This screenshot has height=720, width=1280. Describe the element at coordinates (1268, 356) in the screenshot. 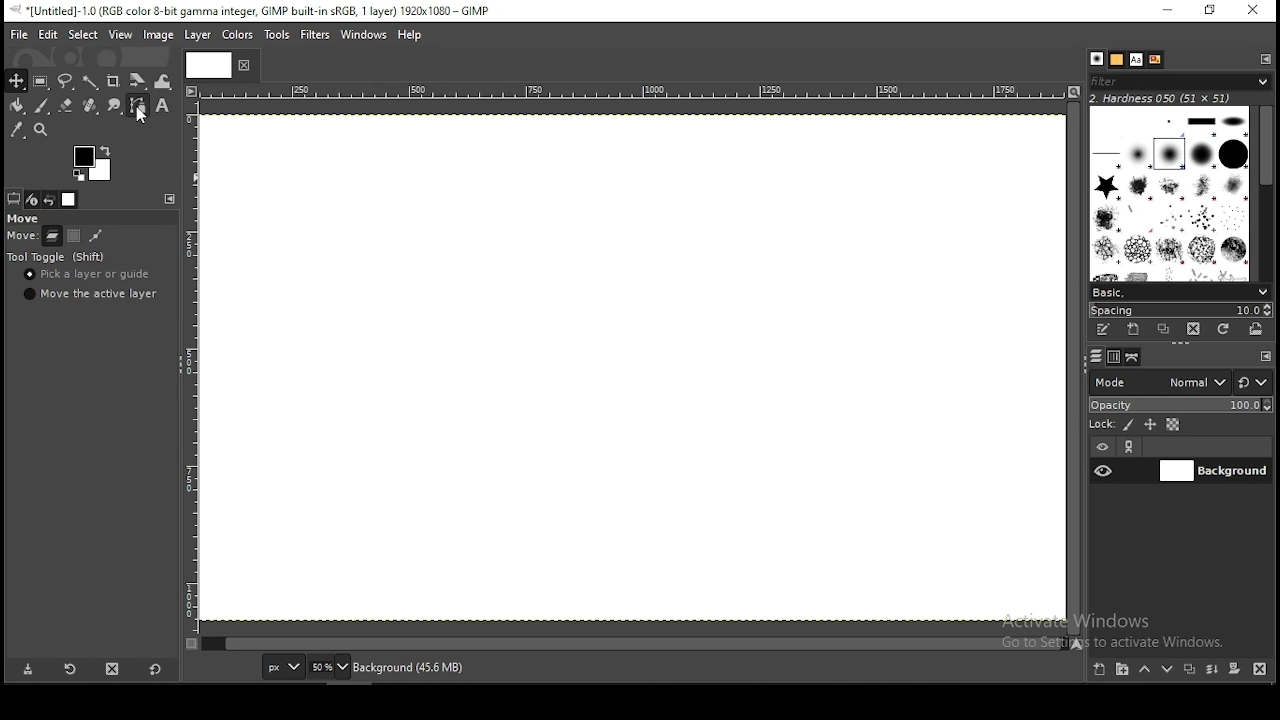

I see `configure this tab` at that location.